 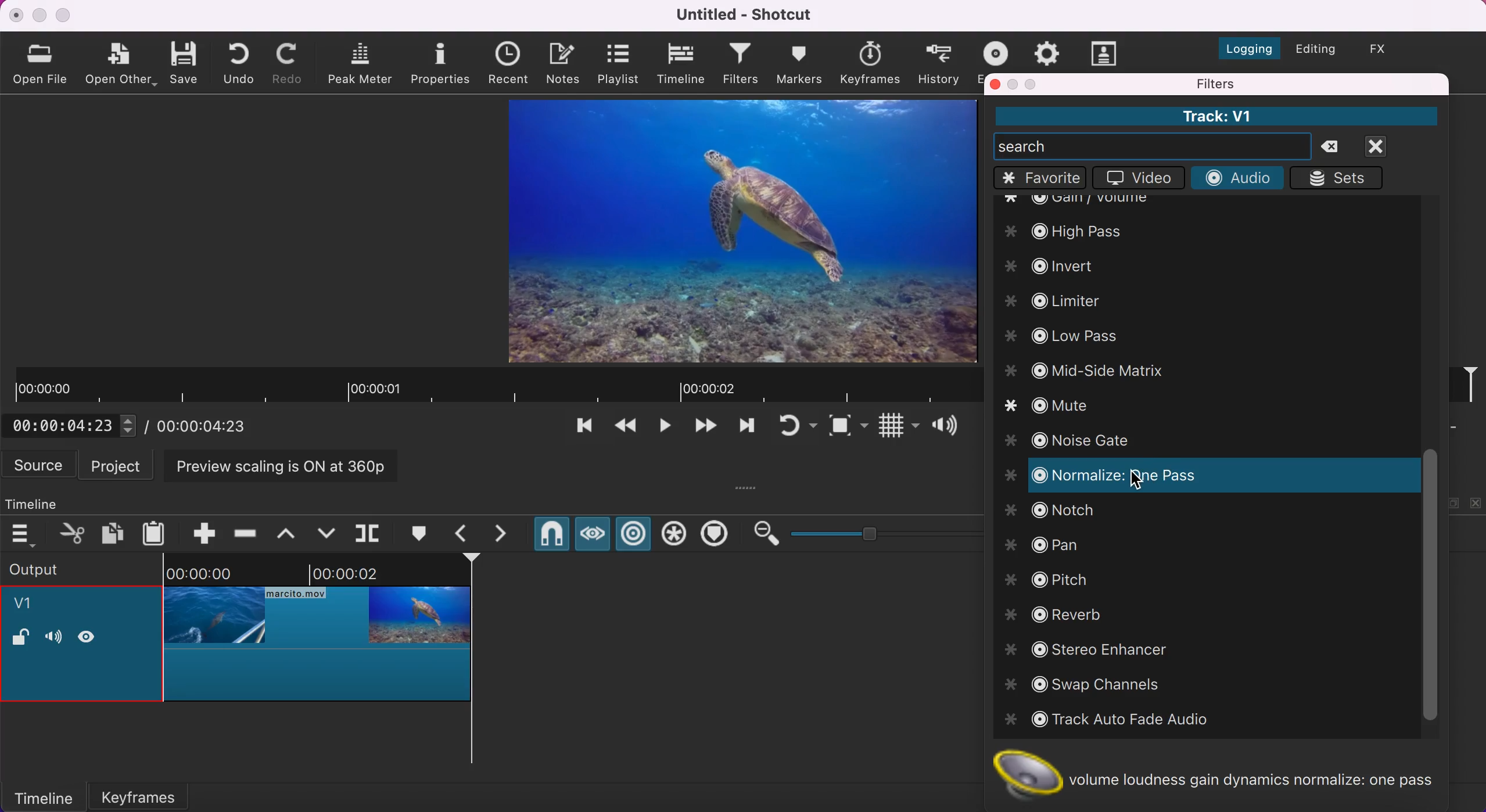 What do you see at coordinates (999, 51) in the screenshot?
I see `exort` at bounding box center [999, 51].